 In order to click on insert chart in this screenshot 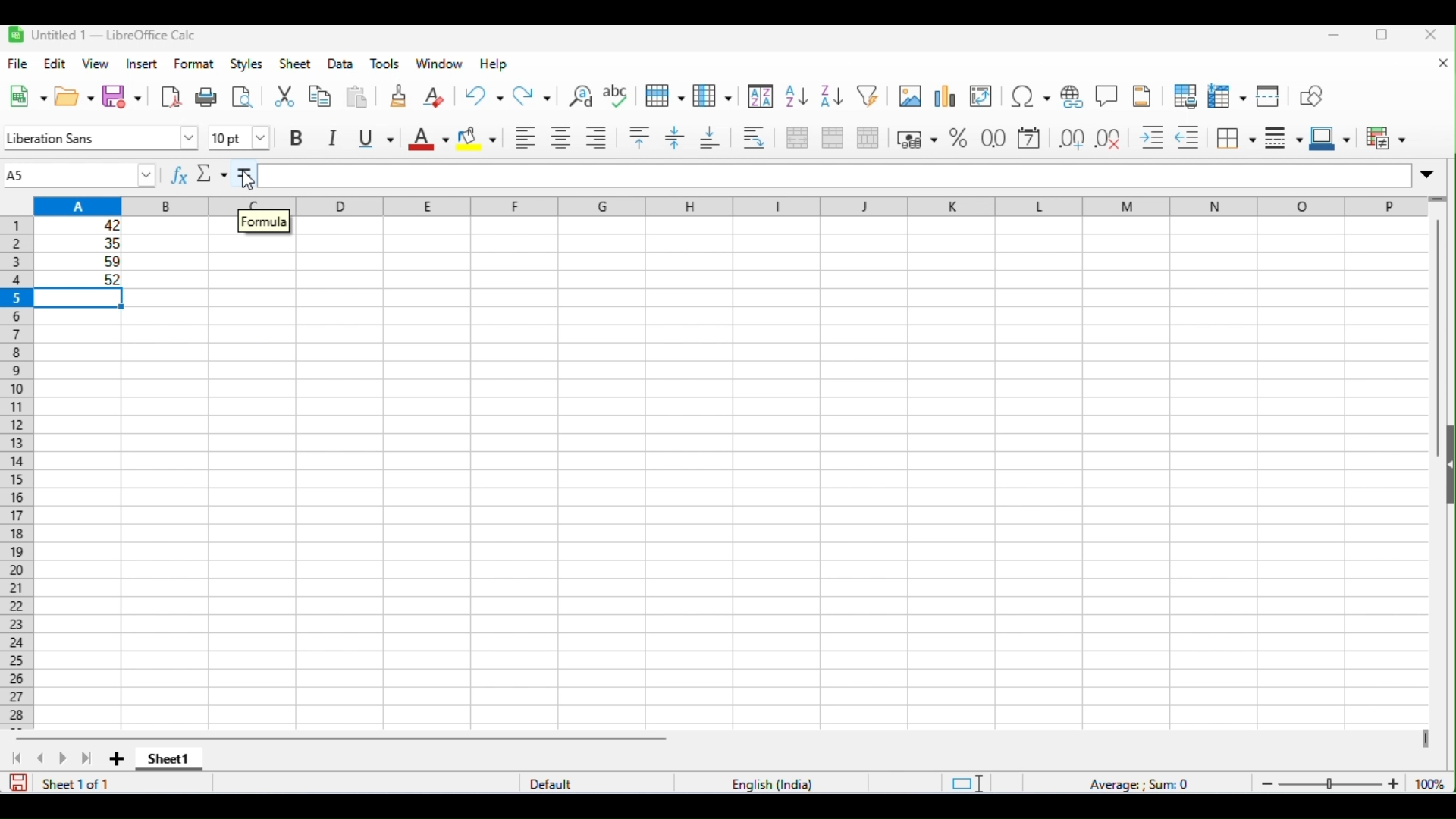, I will do `click(943, 96)`.